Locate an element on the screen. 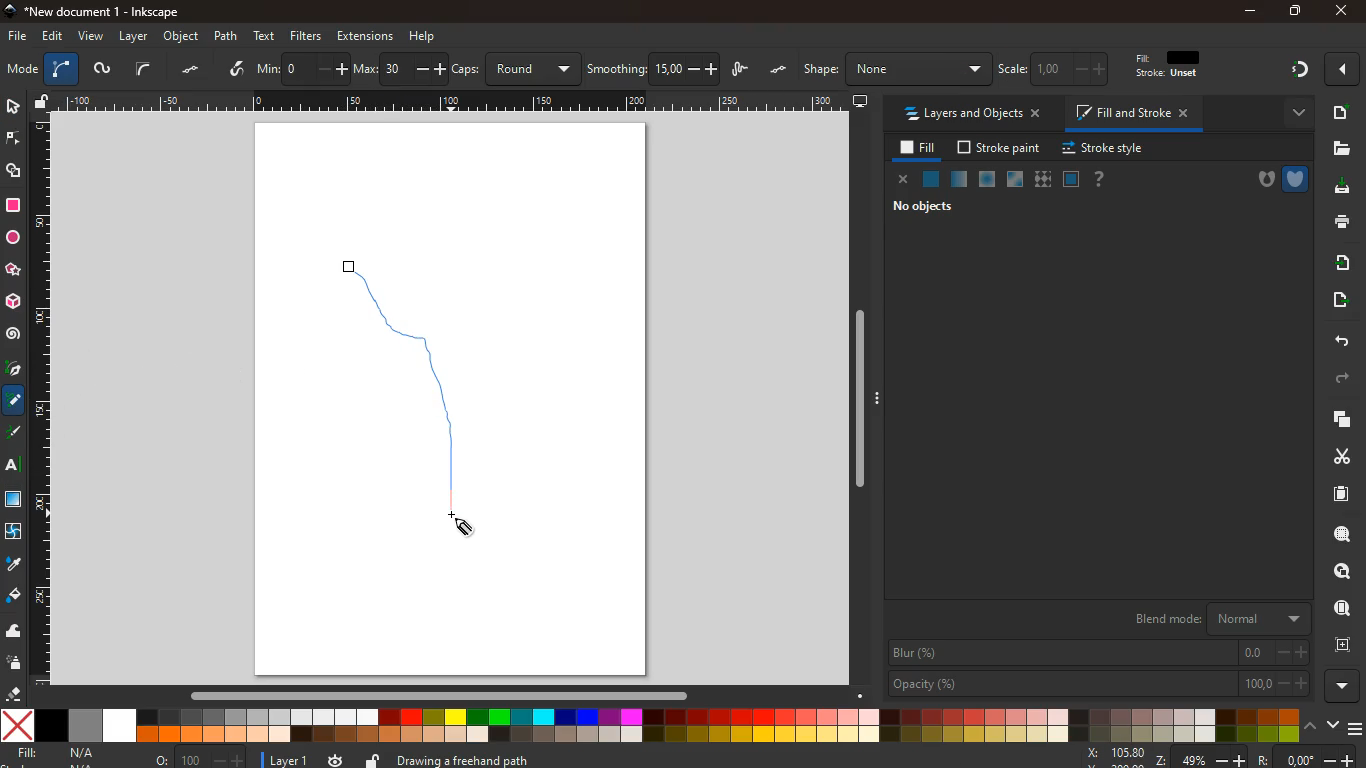 The image size is (1366, 768). gradient is located at coordinates (1298, 72).